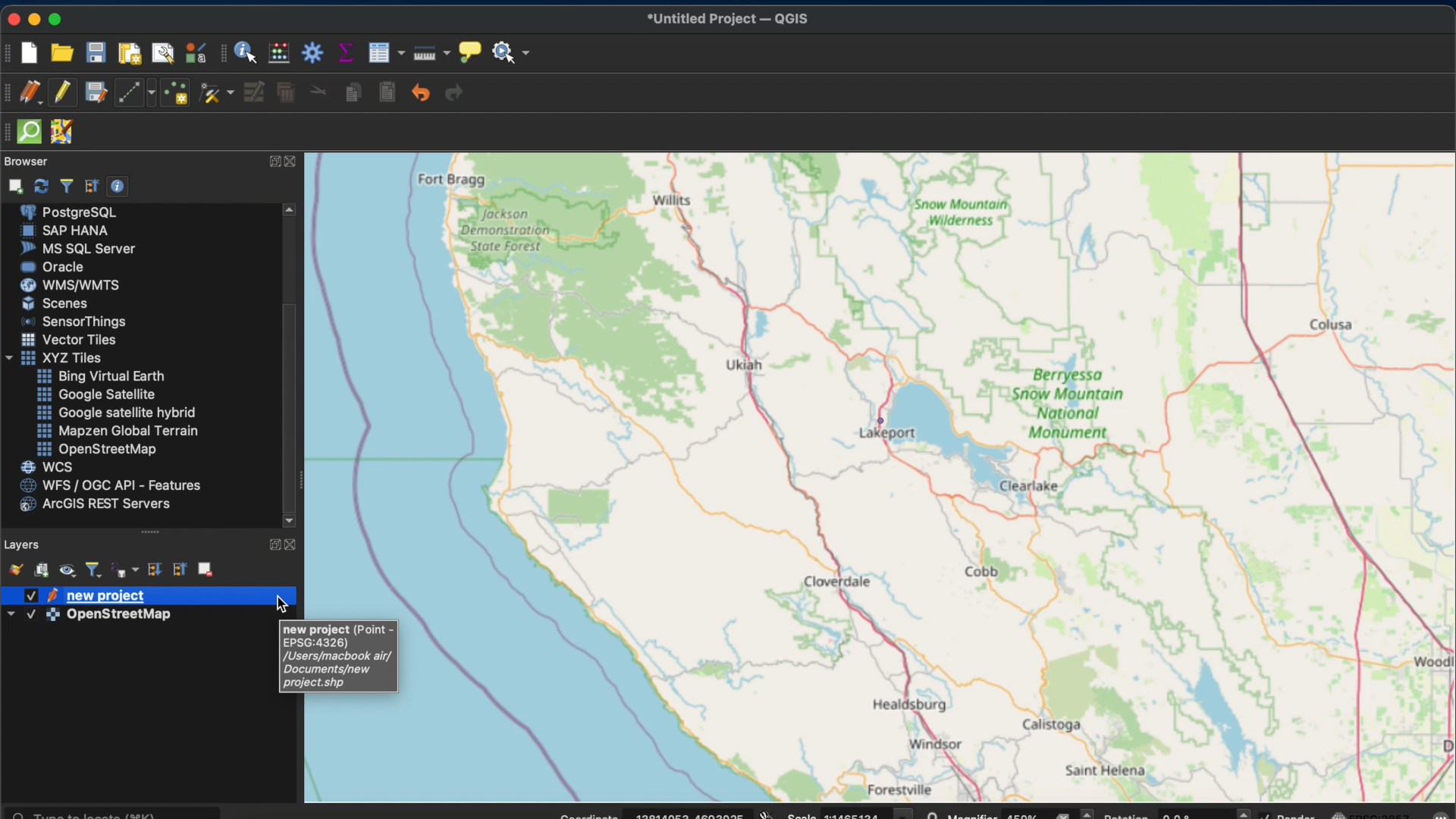  What do you see at coordinates (95, 450) in the screenshot?
I see `openstreetmap` at bounding box center [95, 450].